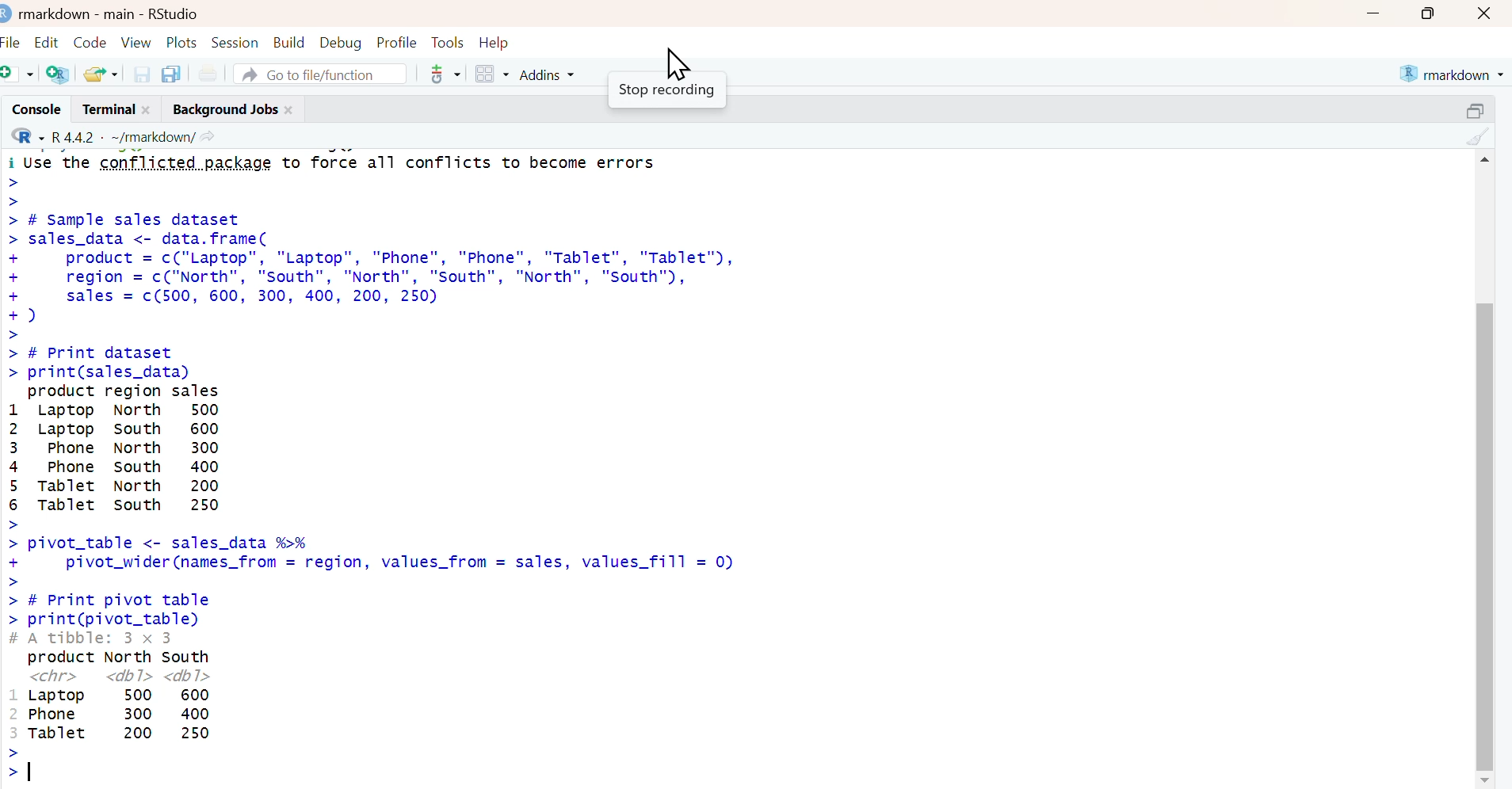 Image resolution: width=1512 pixels, height=789 pixels. I want to click on Build, so click(290, 39).